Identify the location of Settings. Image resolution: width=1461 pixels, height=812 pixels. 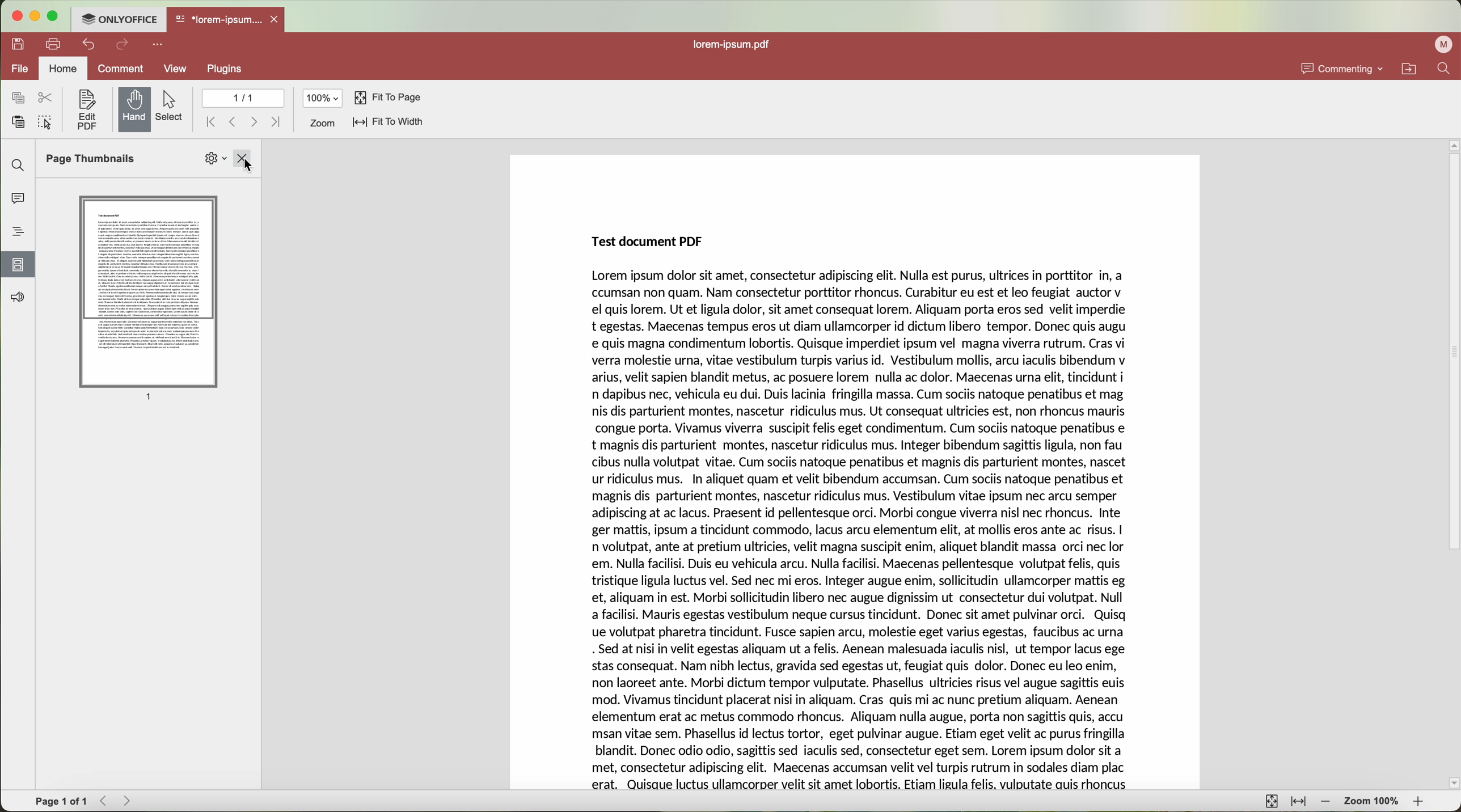
(216, 156).